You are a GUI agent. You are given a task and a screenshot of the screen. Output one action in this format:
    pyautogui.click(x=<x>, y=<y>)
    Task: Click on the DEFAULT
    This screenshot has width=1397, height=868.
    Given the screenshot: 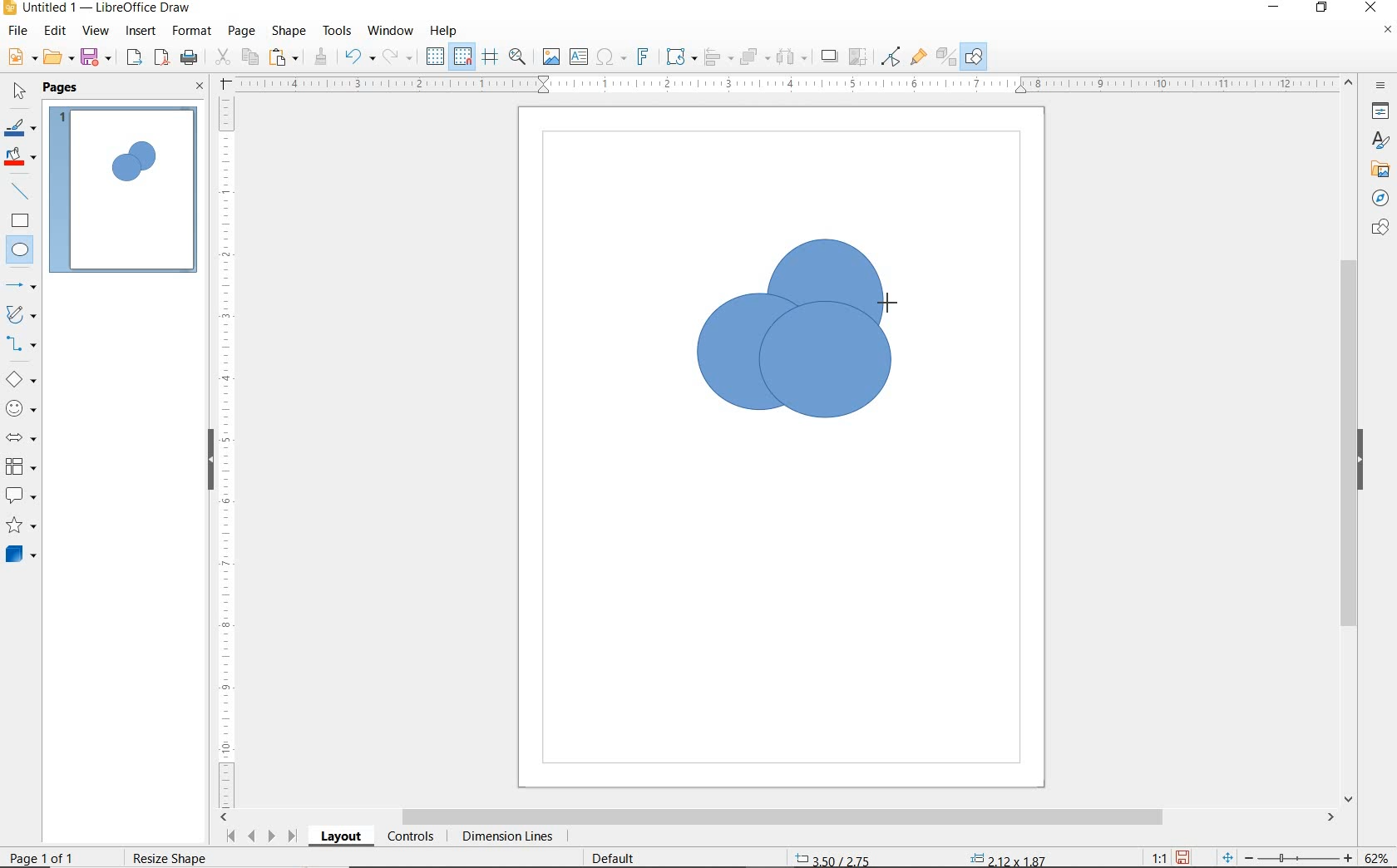 What is the action you would take?
    pyautogui.click(x=619, y=856)
    